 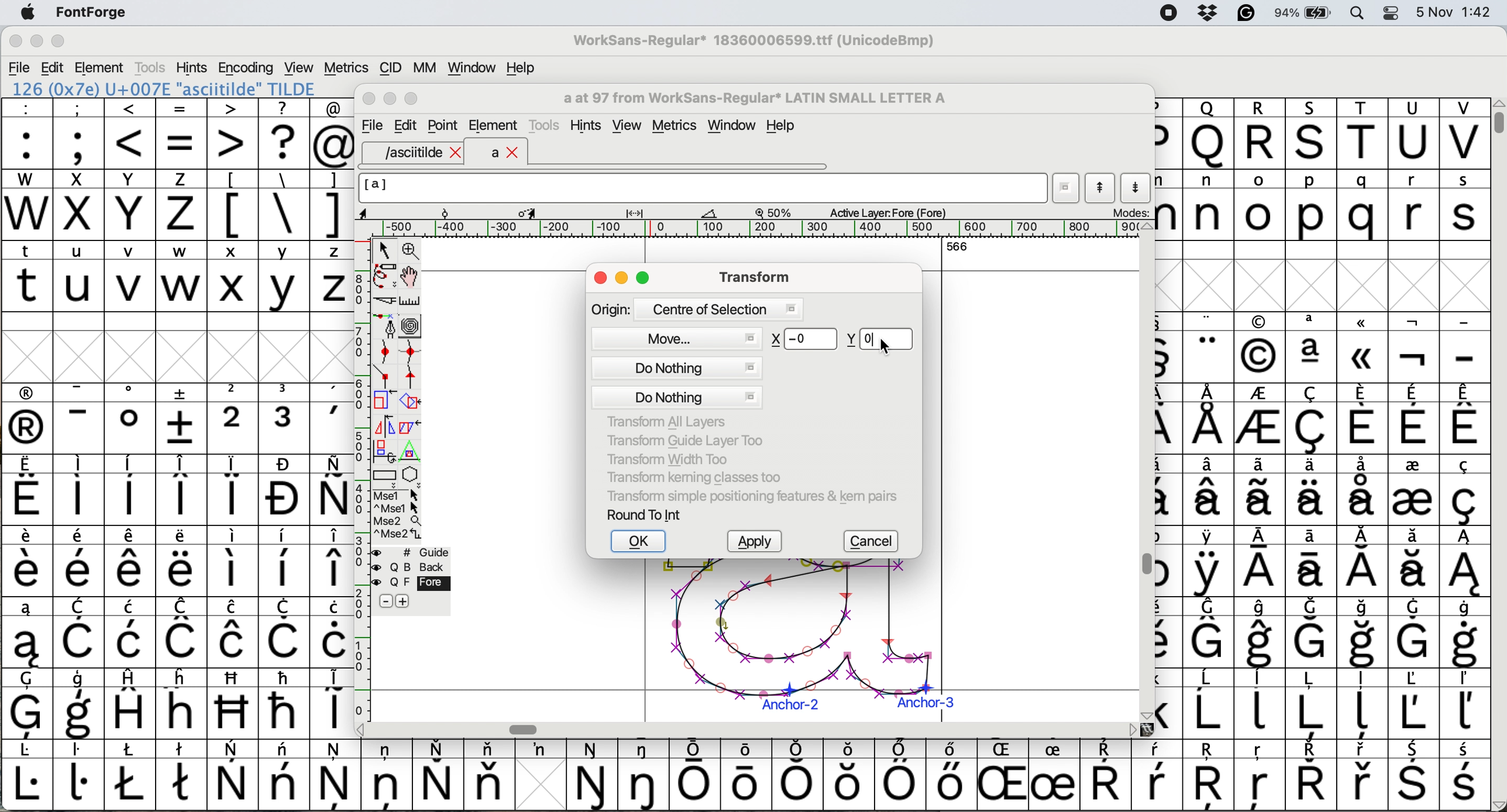 What do you see at coordinates (1364, 562) in the screenshot?
I see `symbol` at bounding box center [1364, 562].